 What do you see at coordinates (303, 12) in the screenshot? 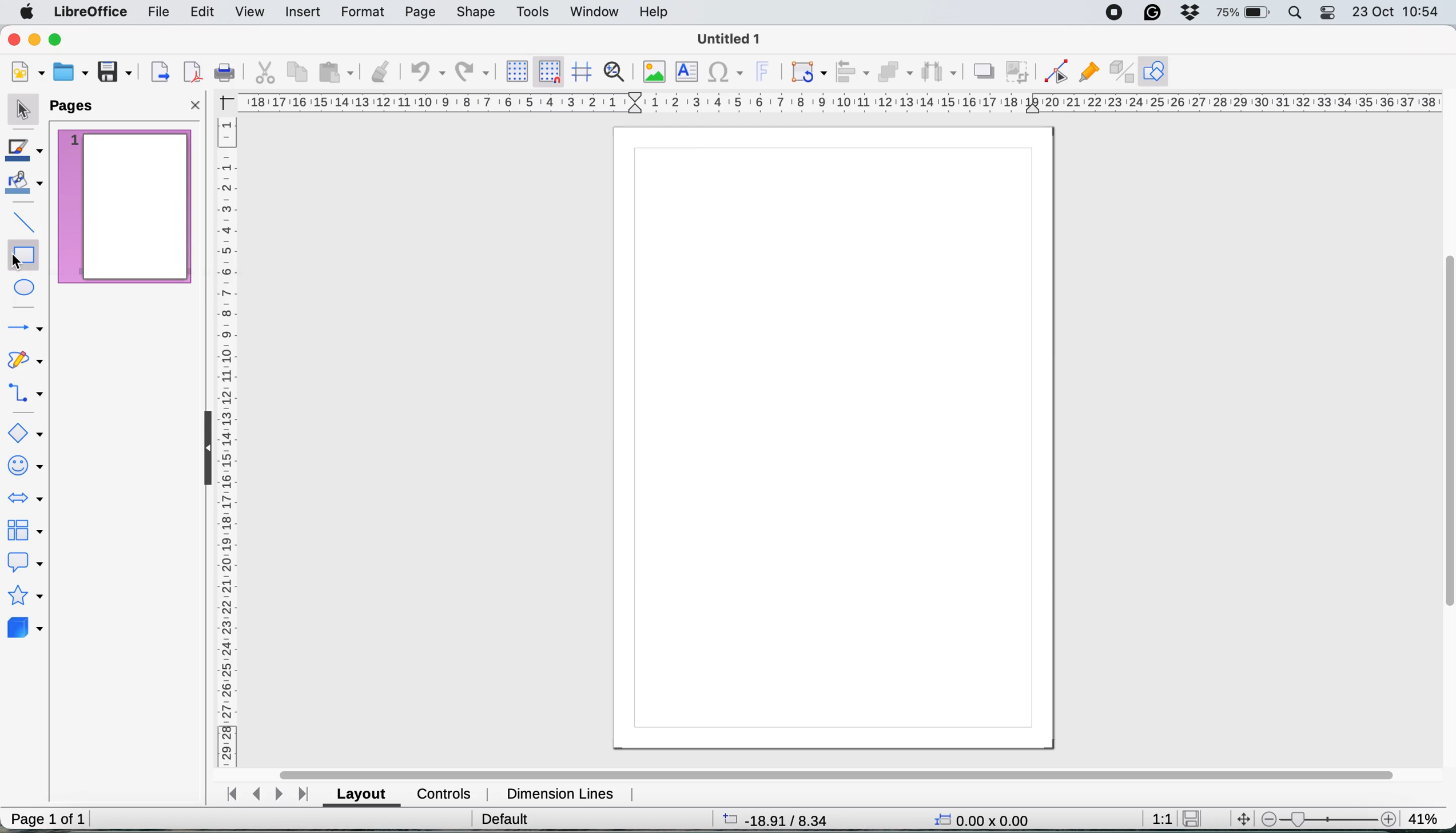
I see `insert` at bounding box center [303, 12].